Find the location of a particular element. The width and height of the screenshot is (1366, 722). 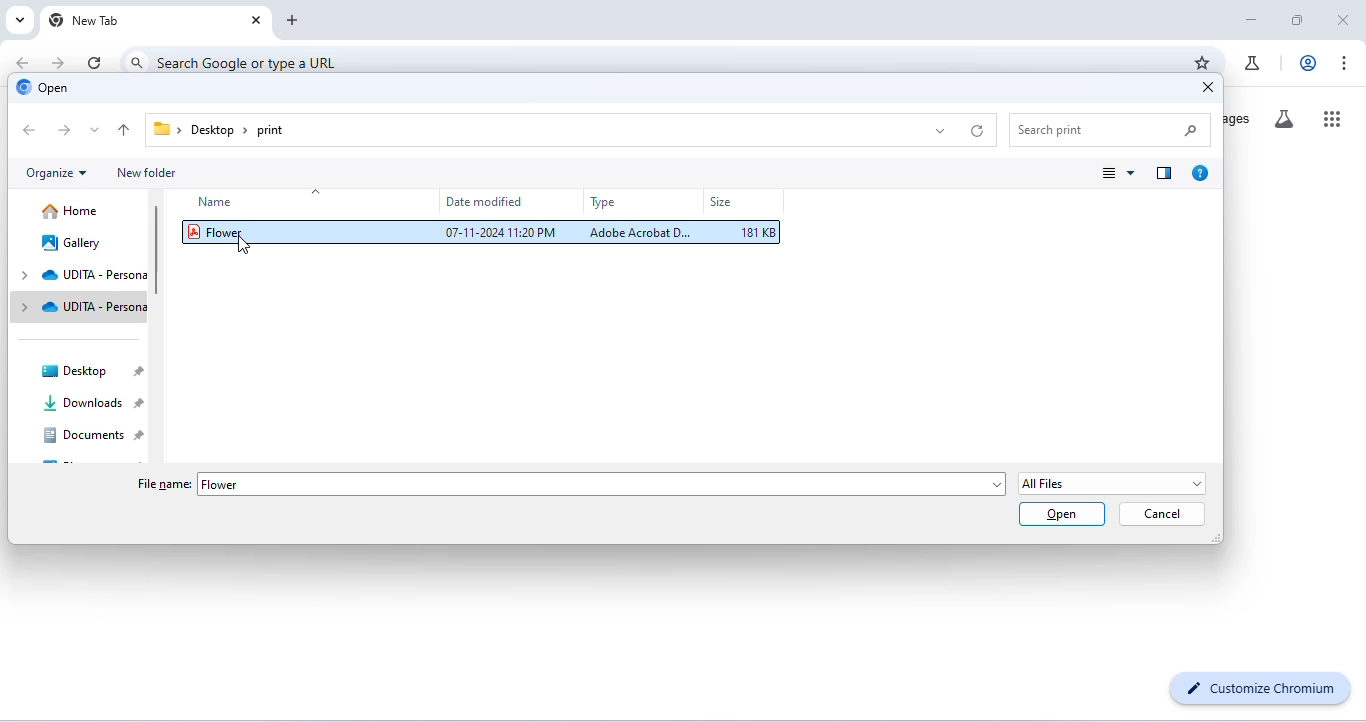

Flower is located at coordinates (603, 483).